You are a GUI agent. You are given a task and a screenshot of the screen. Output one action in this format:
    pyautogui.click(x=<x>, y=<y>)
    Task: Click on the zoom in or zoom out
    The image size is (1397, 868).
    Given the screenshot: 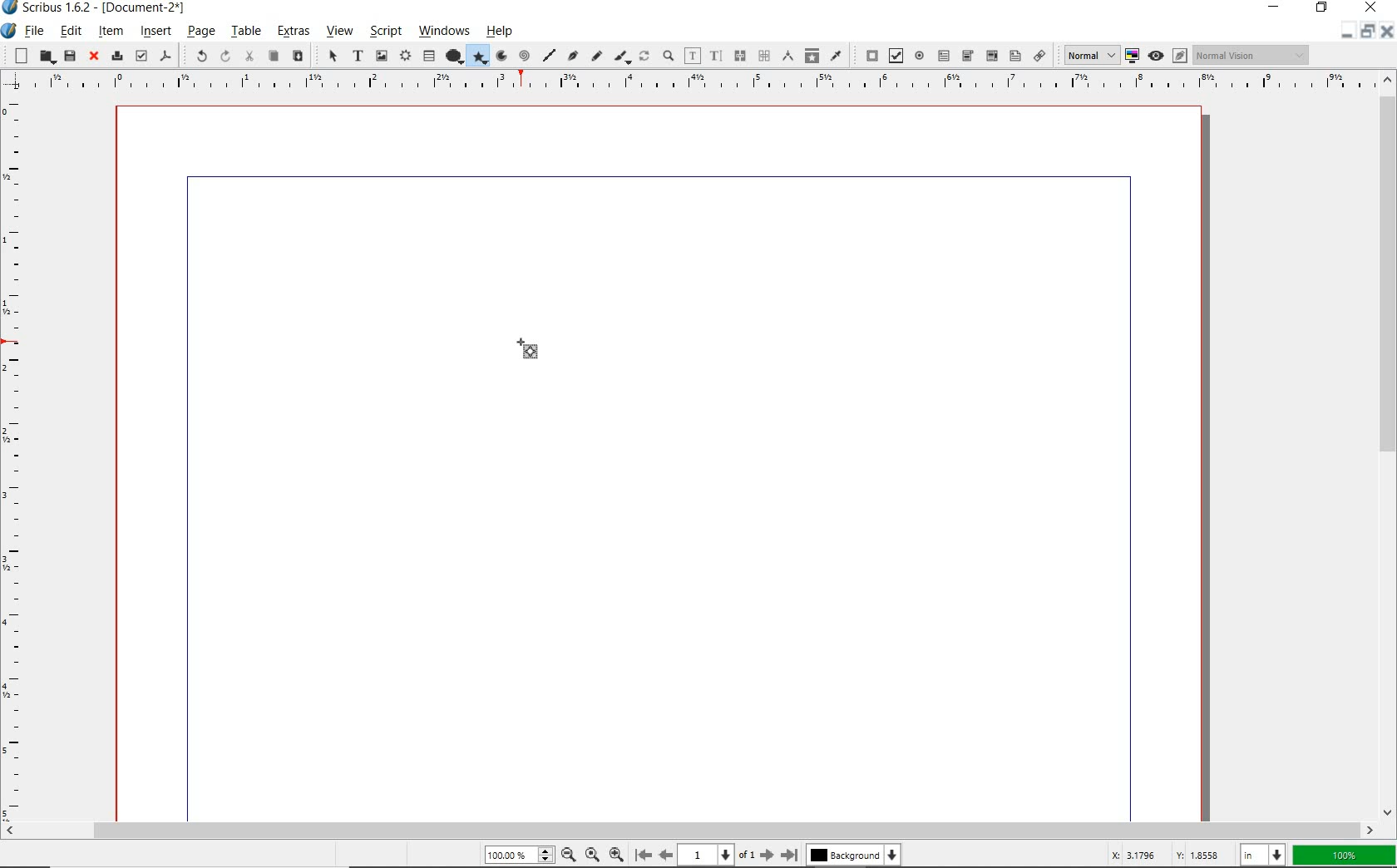 What is the action you would take?
    pyautogui.click(x=668, y=55)
    